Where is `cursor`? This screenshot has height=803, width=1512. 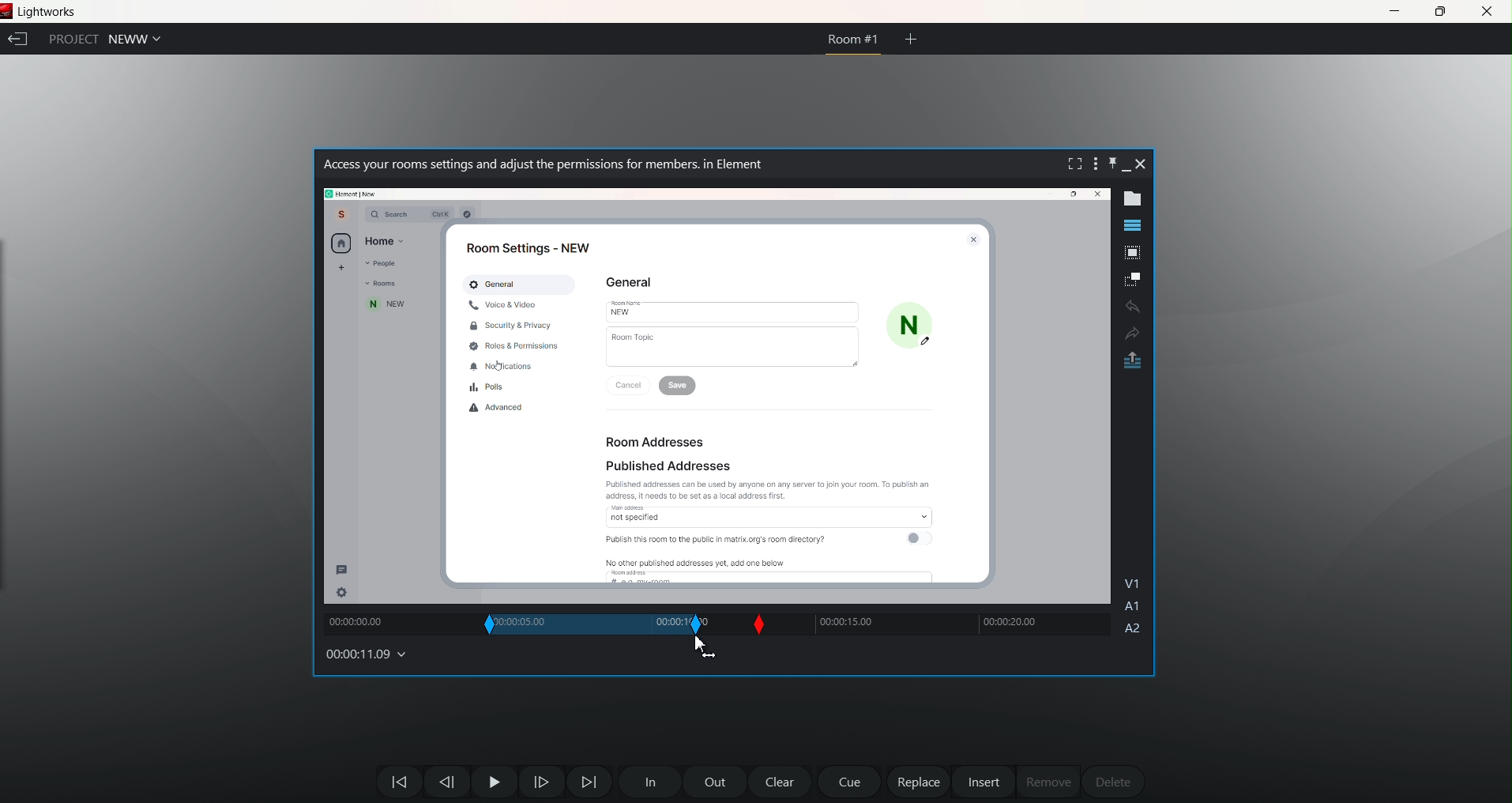 cursor is located at coordinates (701, 647).